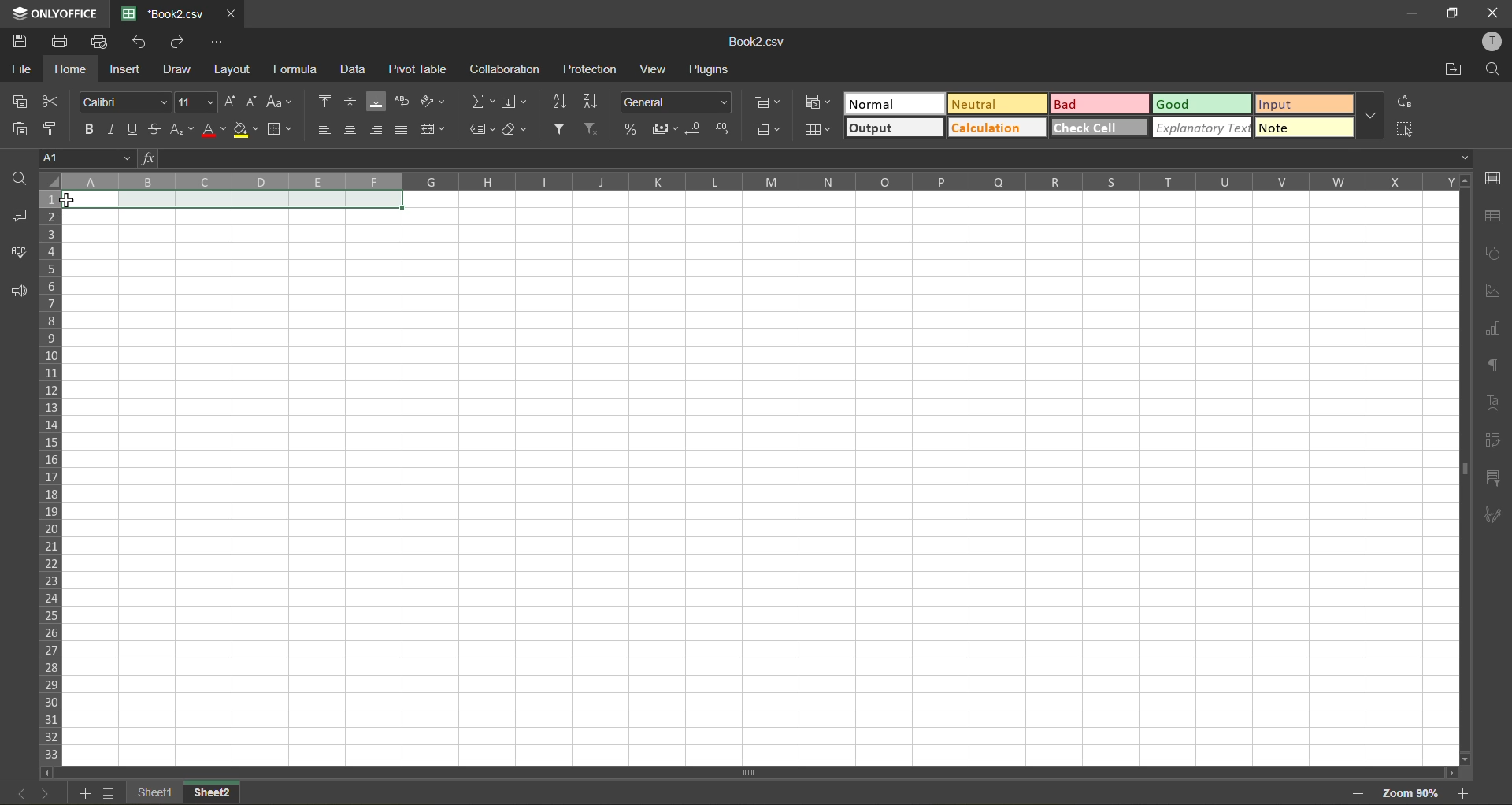 The width and height of the screenshot is (1512, 805). I want to click on column names, so click(757, 181).